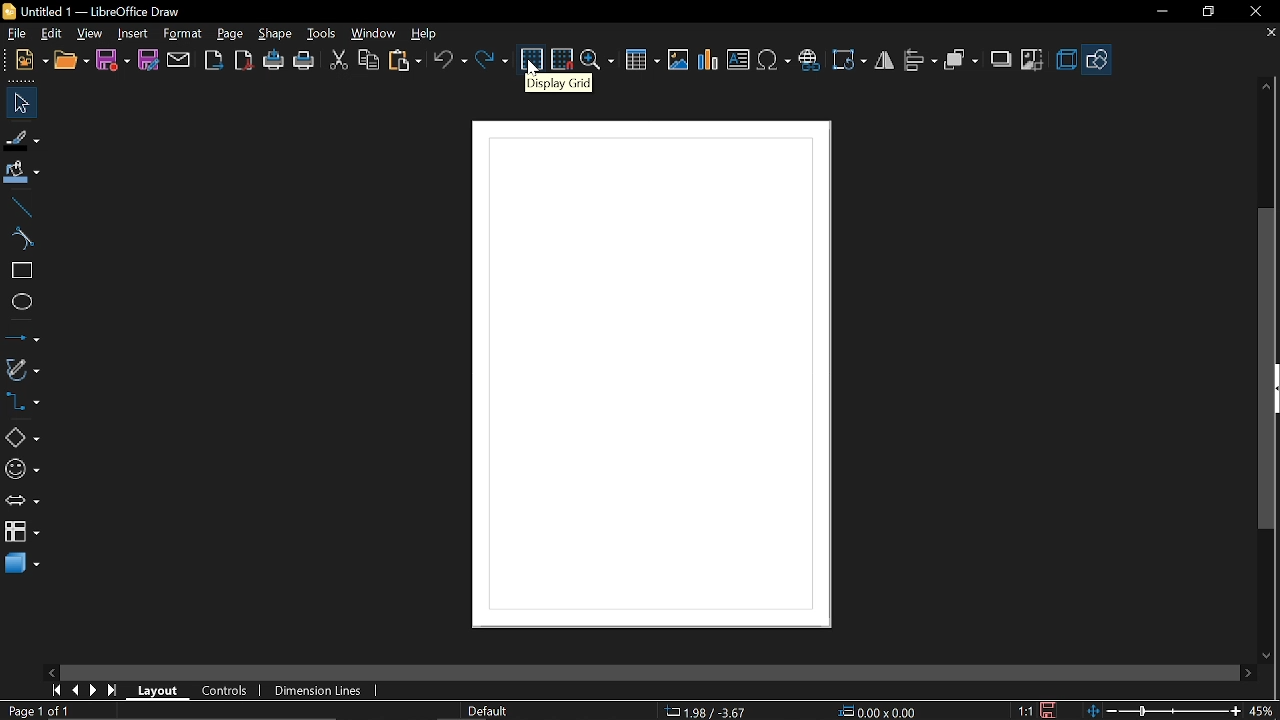 The height and width of the screenshot is (720, 1280). Describe the element at coordinates (226, 691) in the screenshot. I see `controls` at that location.